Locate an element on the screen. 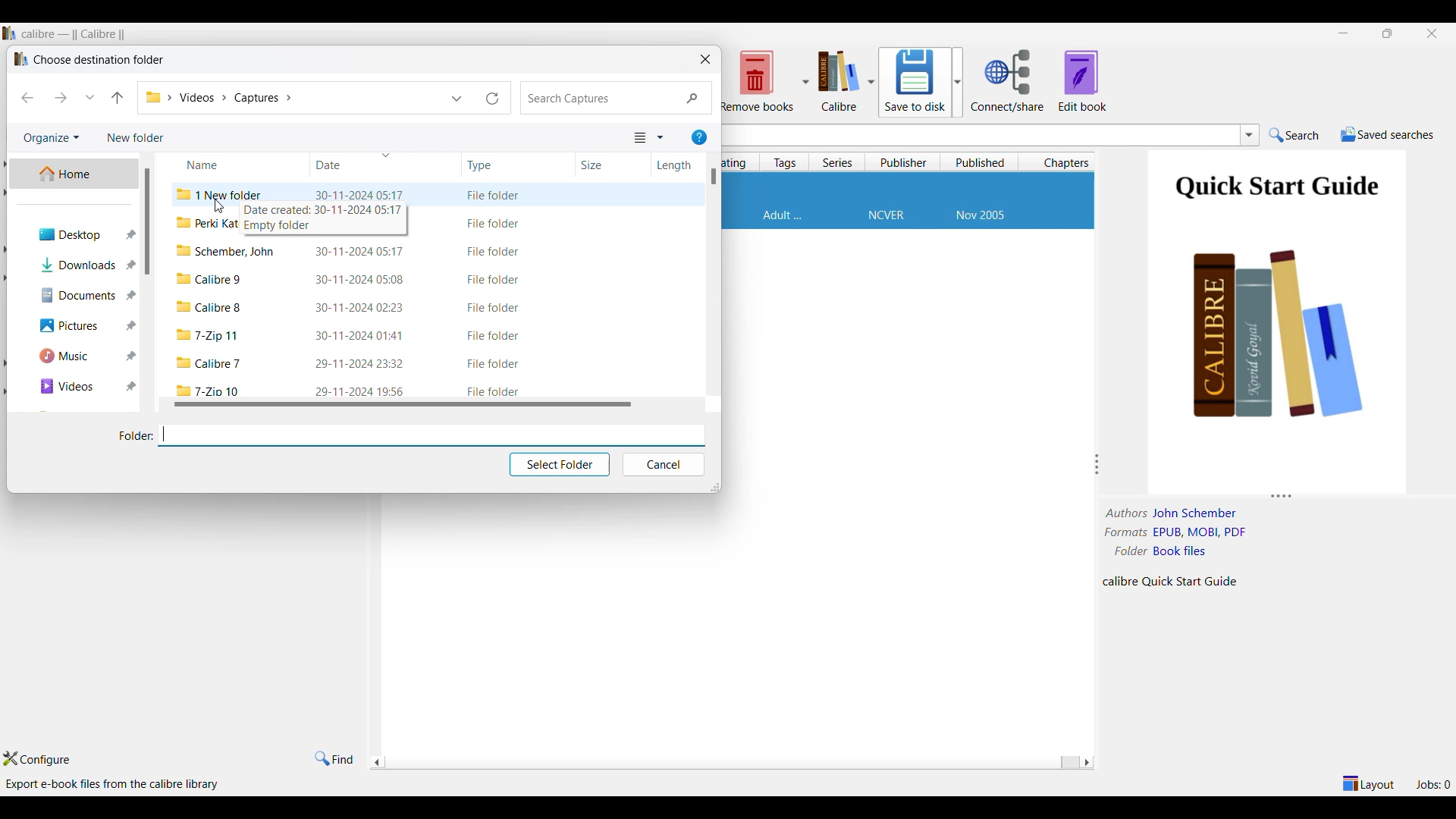  Pictures  is located at coordinates (80, 326).